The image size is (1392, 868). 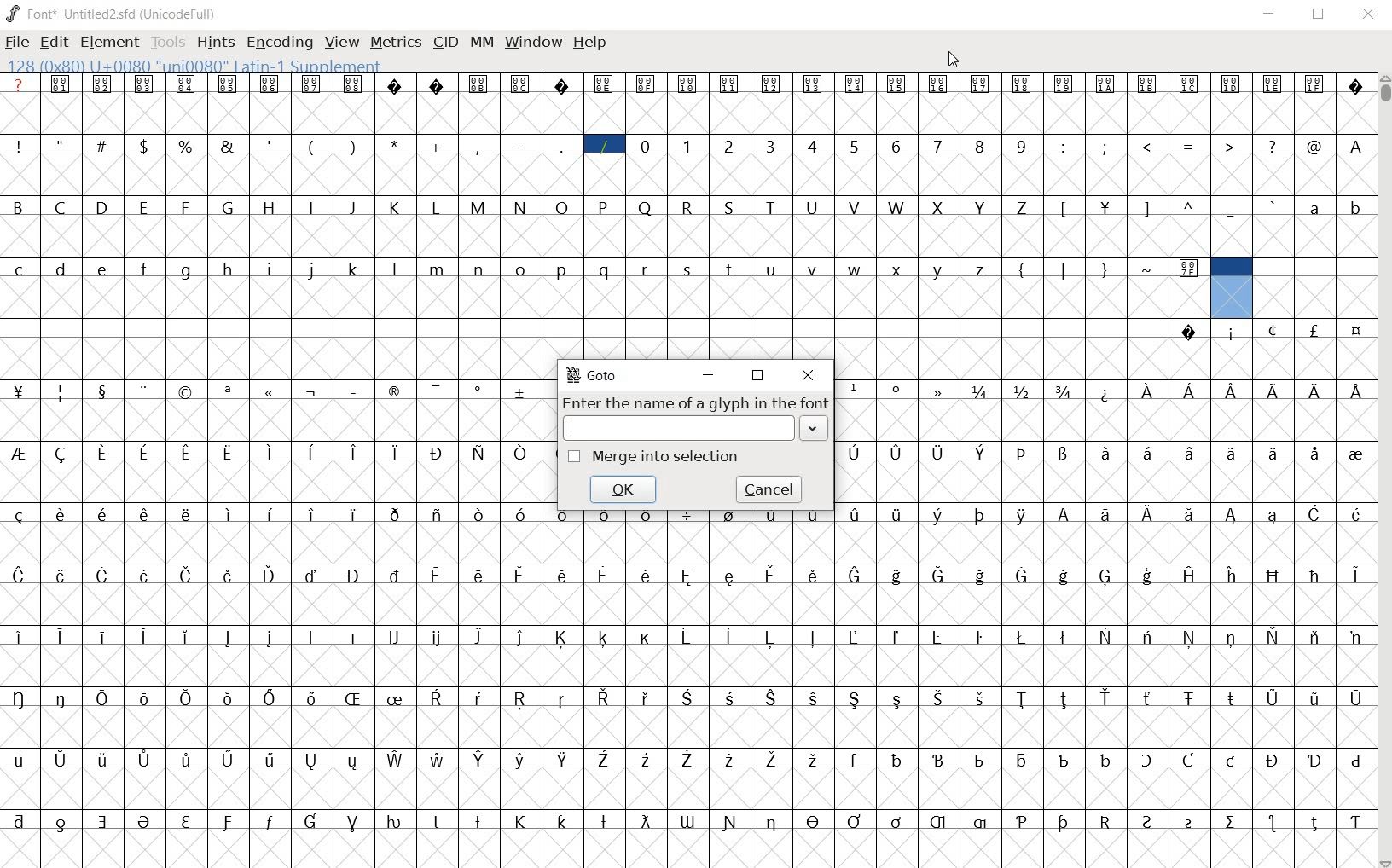 I want to click on Symbol, so click(x=315, y=759).